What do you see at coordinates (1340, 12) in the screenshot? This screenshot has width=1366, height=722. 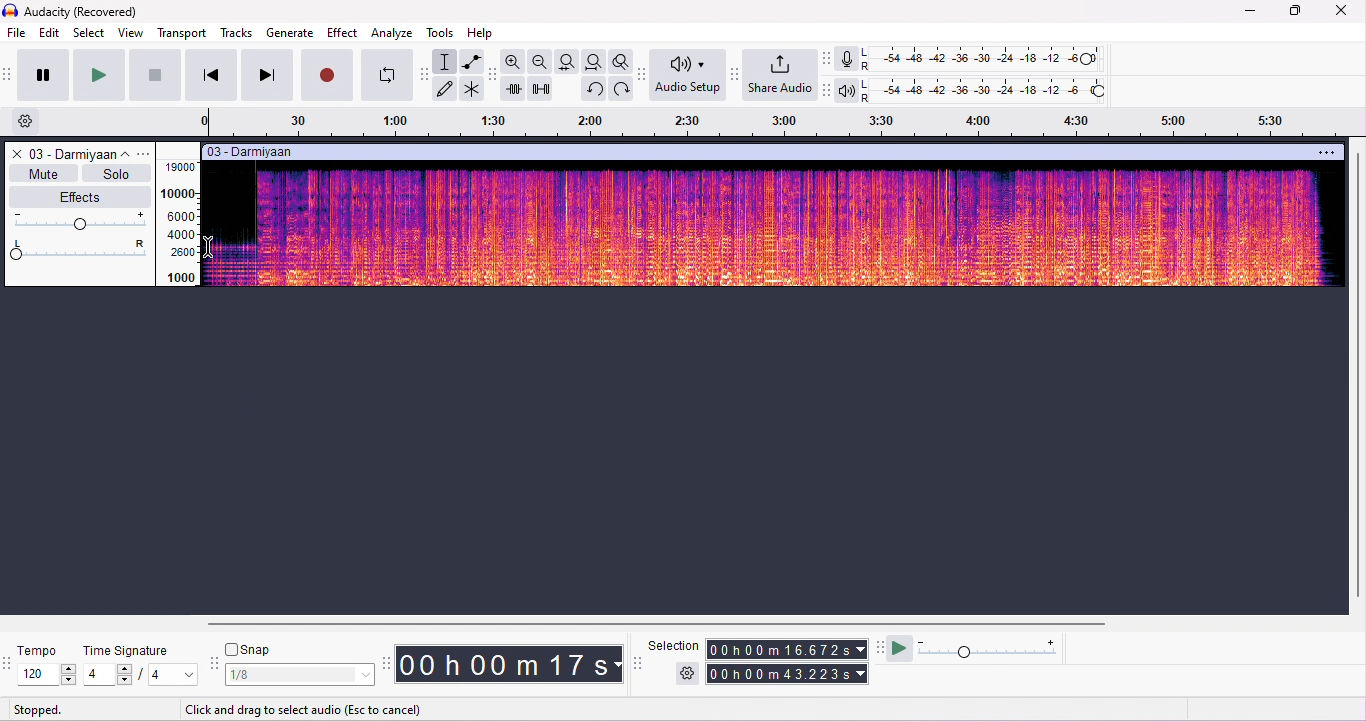 I see `close` at bounding box center [1340, 12].